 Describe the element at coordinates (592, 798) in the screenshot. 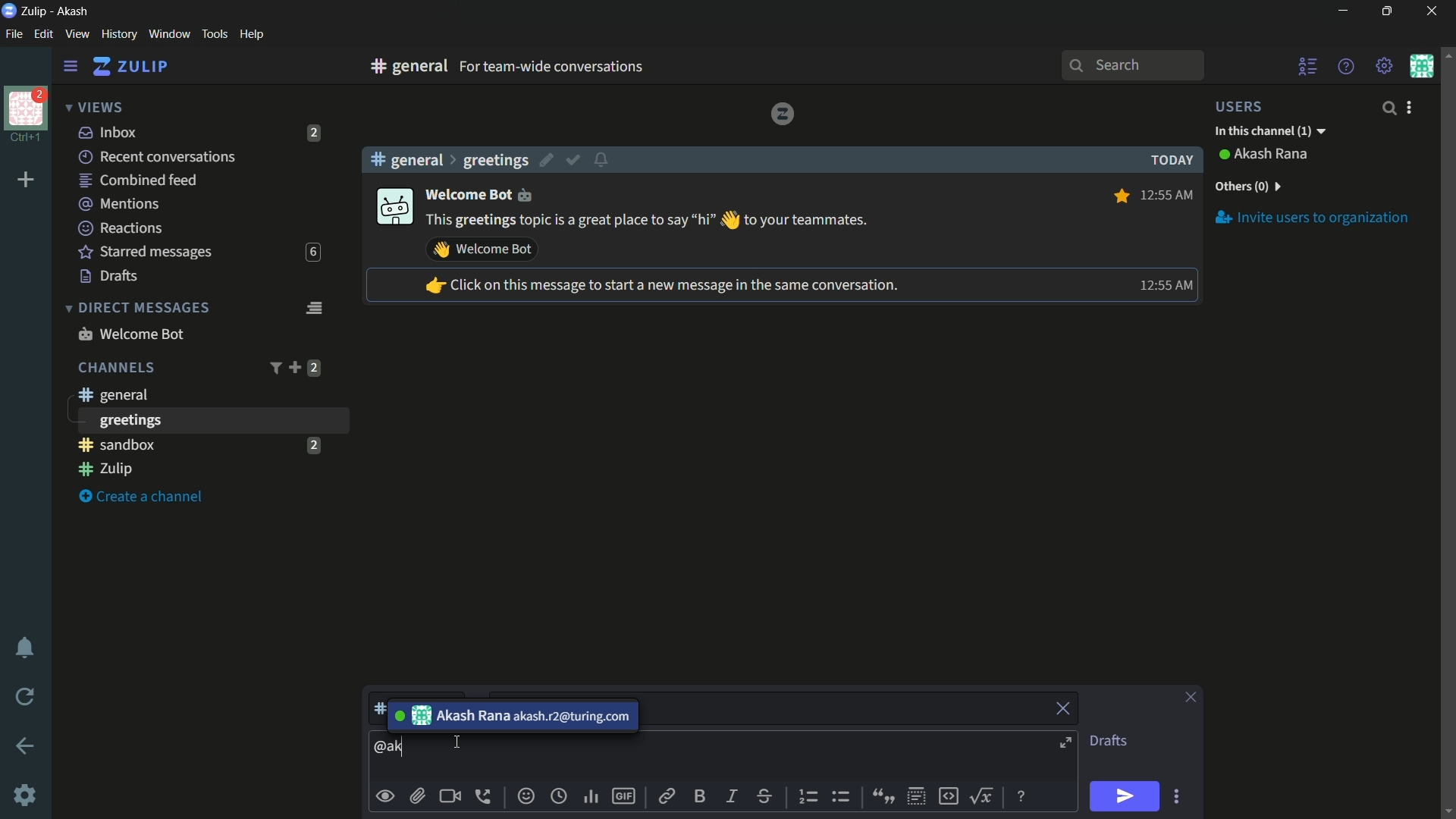

I see `add poll` at that location.